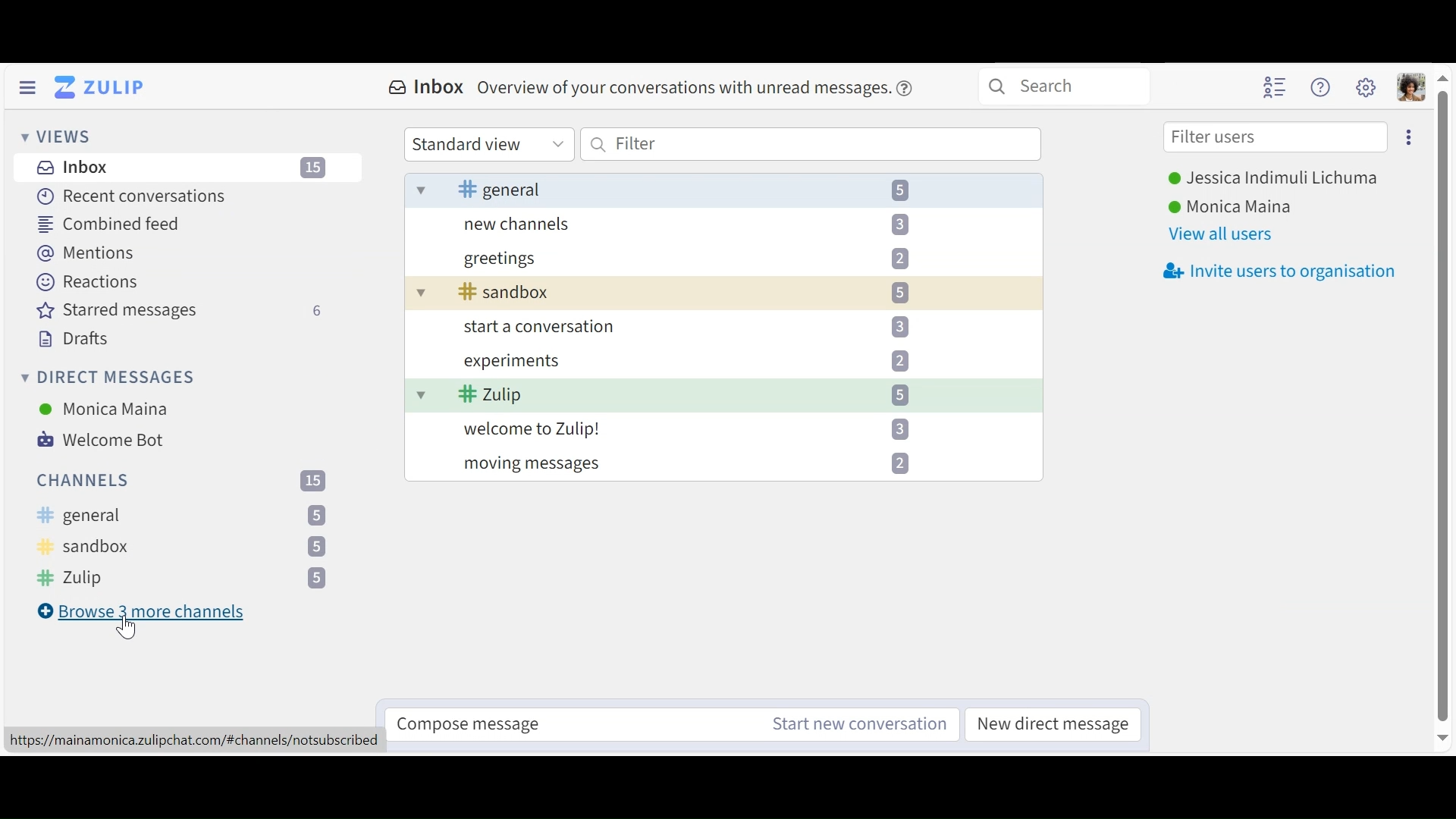  Describe the element at coordinates (725, 428) in the screenshot. I see `inbox unread messages` at that location.